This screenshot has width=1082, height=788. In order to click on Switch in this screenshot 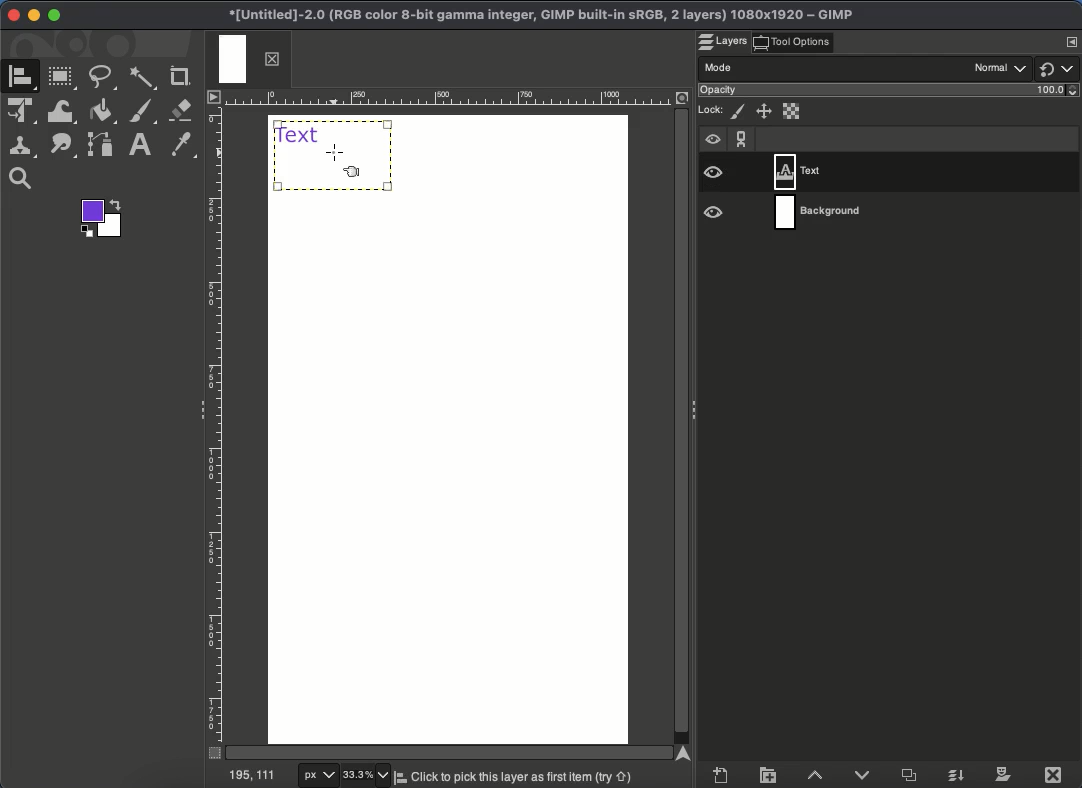, I will do `click(1058, 69)`.